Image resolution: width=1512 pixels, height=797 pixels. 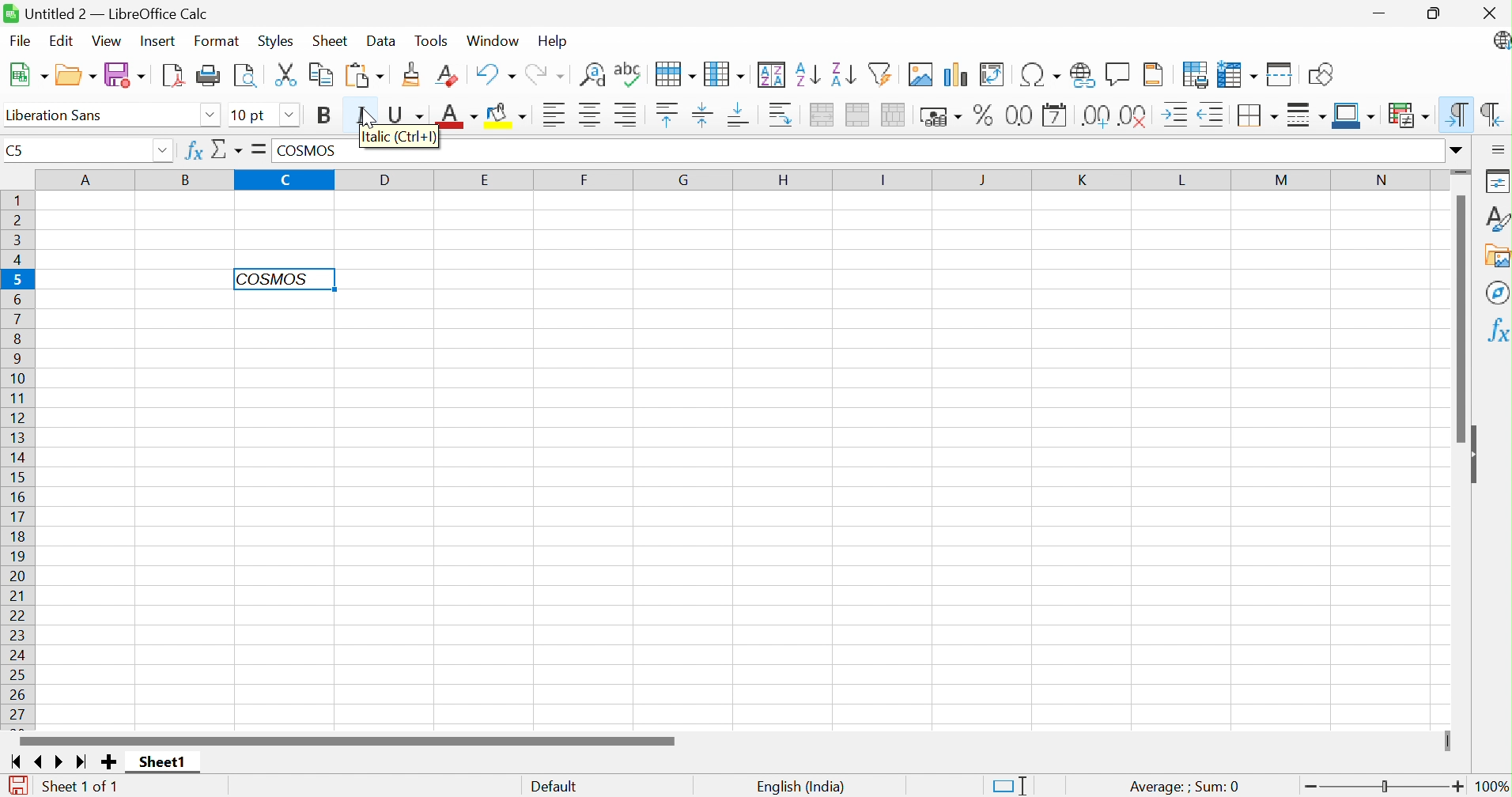 What do you see at coordinates (953, 74) in the screenshot?
I see `Insert chart` at bounding box center [953, 74].